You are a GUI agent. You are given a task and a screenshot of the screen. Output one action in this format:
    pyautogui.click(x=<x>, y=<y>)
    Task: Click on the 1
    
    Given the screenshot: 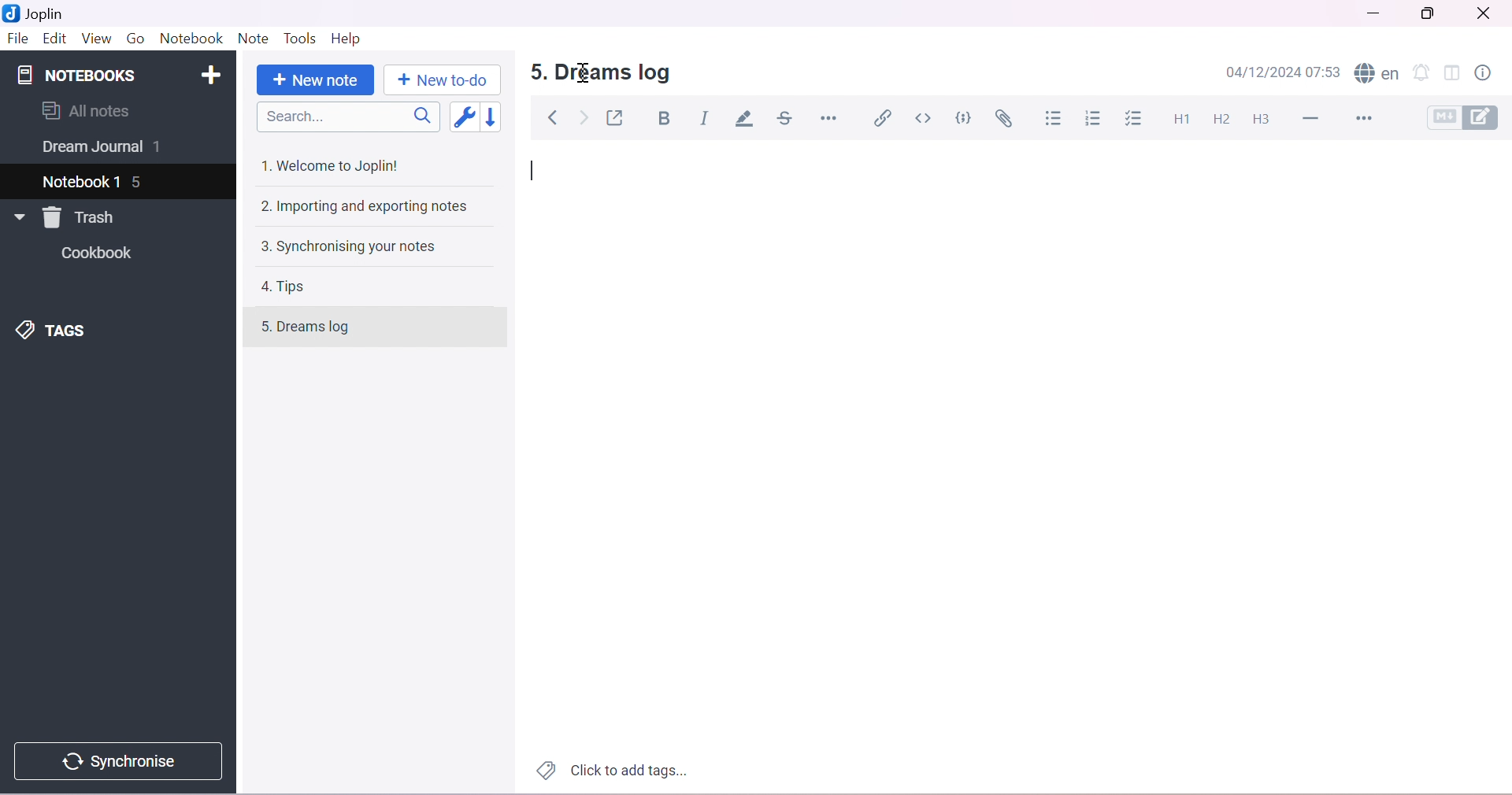 What is the action you would take?
    pyautogui.click(x=162, y=148)
    